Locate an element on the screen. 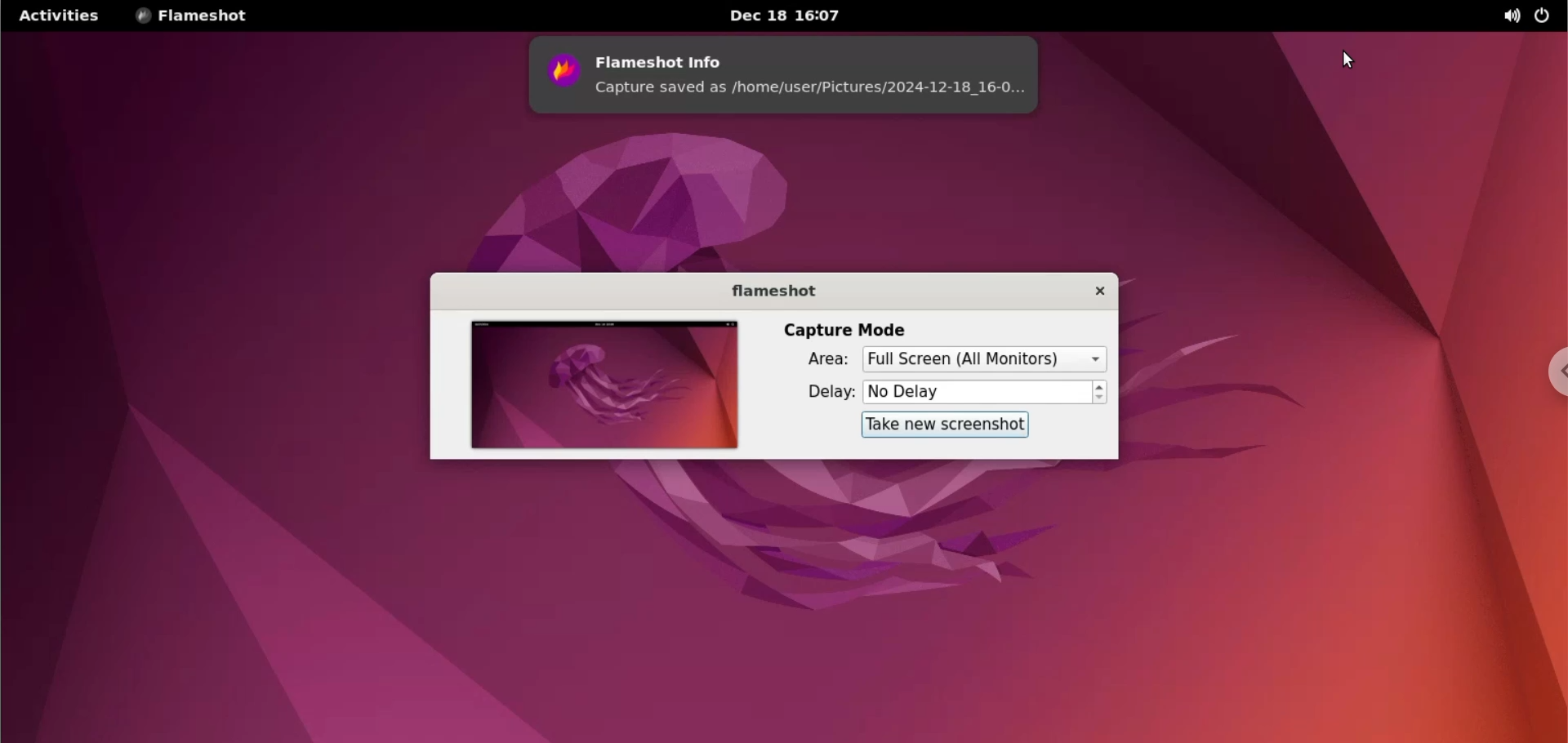 This screenshot has width=1568, height=743. capture mode label is located at coordinates (844, 329).